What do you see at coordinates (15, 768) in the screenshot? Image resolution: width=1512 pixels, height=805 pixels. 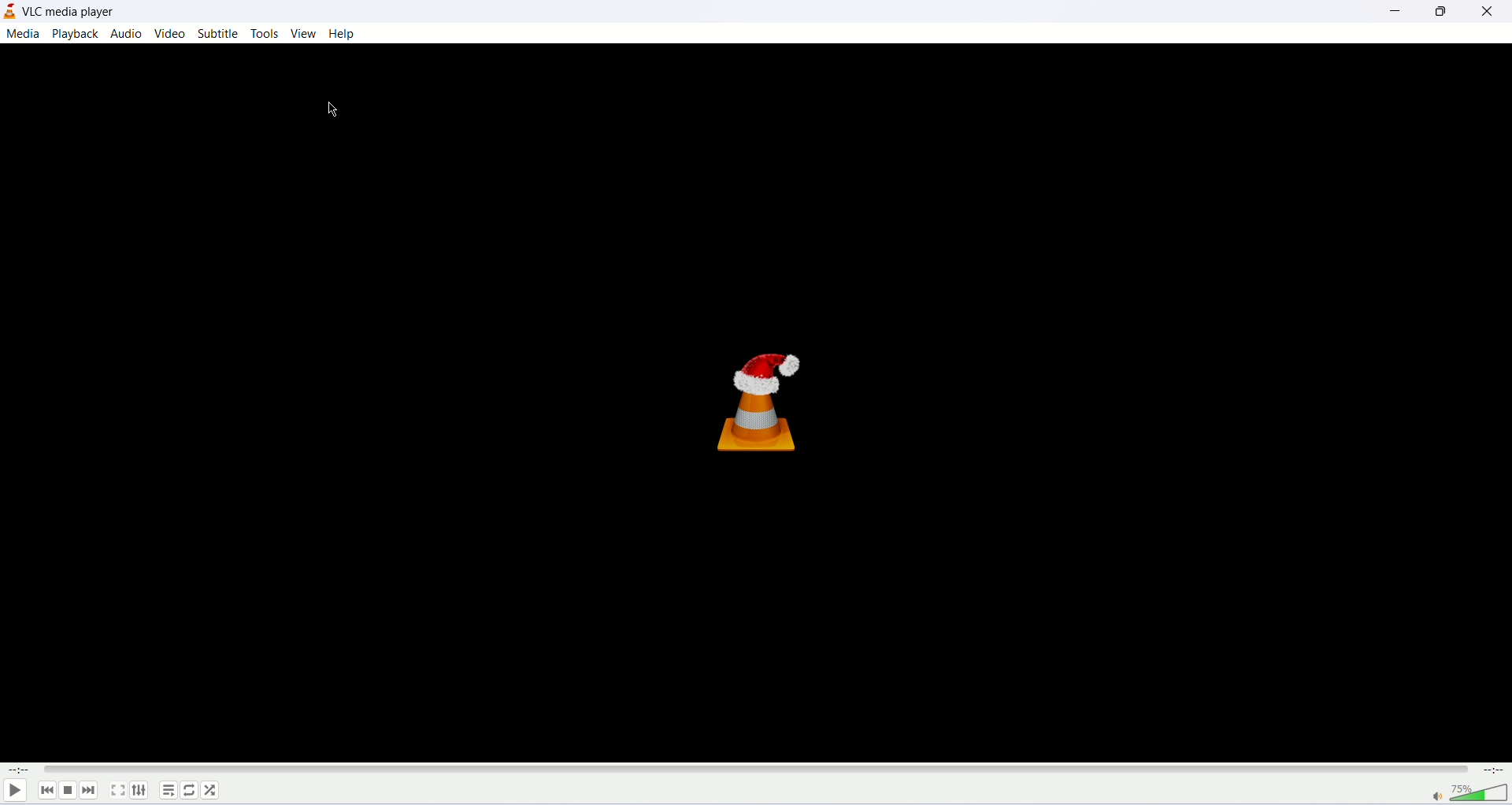 I see `played time` at bounding box center [15, 768].